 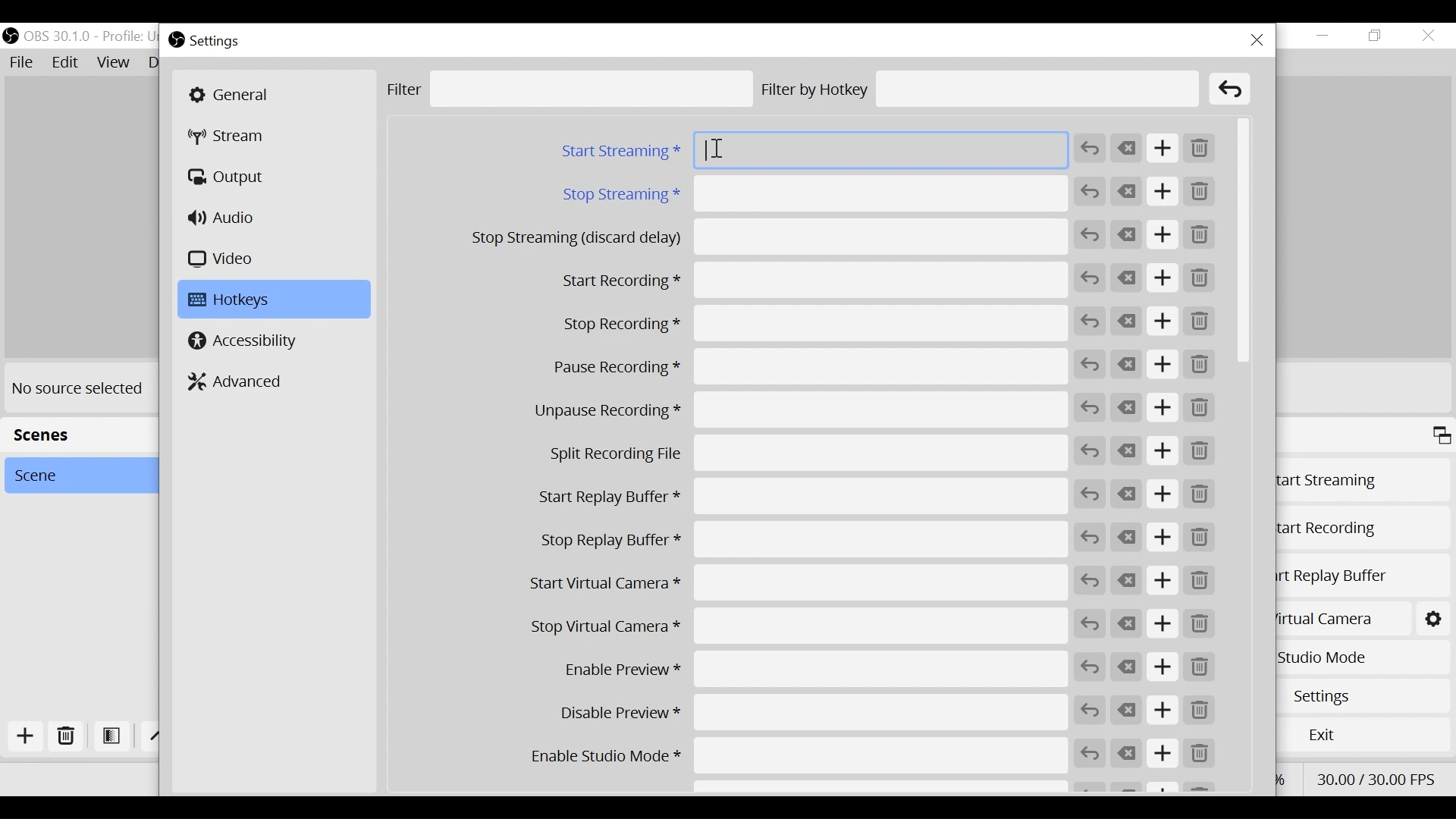 What do you see at coordinates (1367, 733) in the screenshot?
I see `Exit` at bounding box center [1367, 733].